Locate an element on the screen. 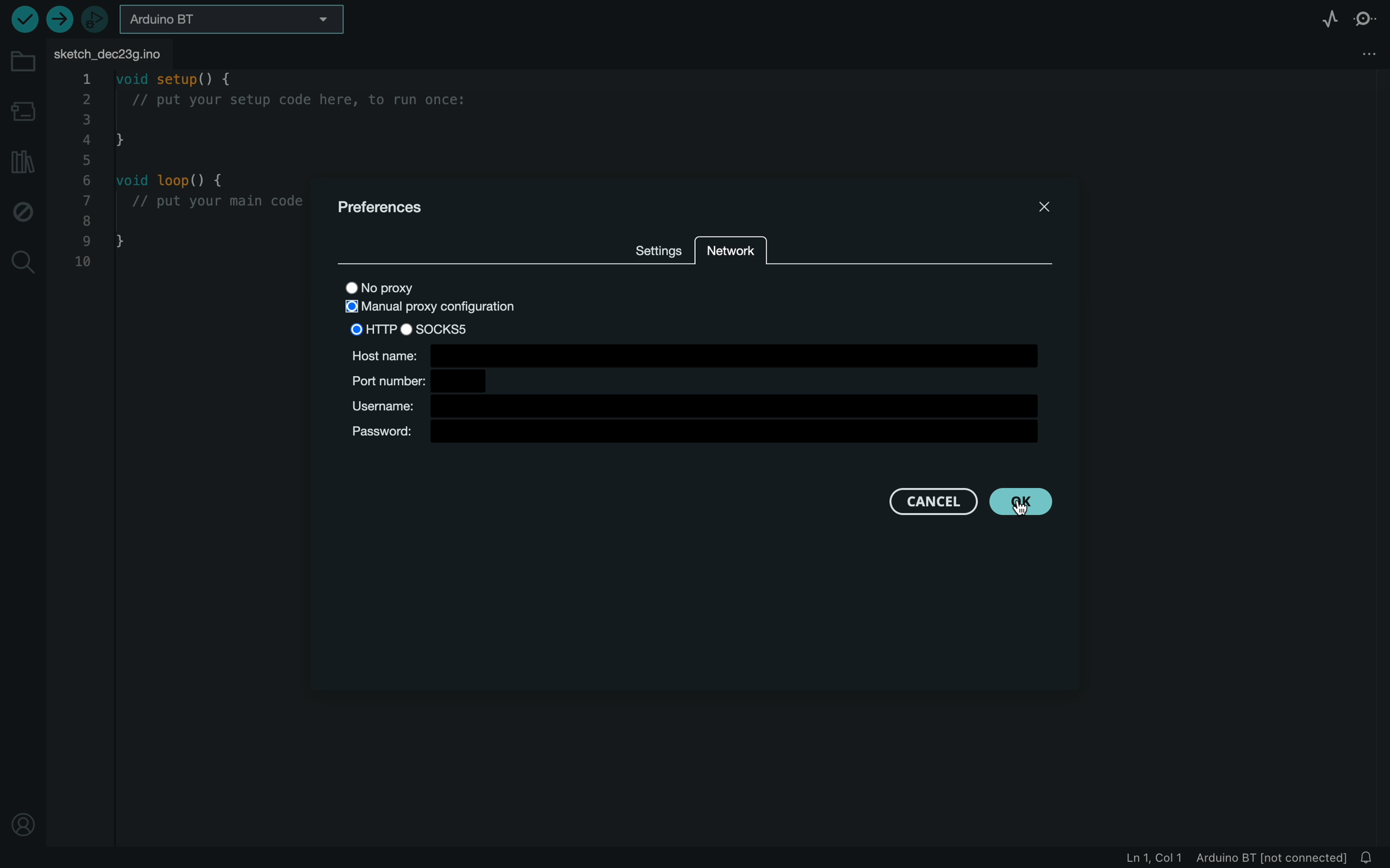 The height and width of the screenshot is (868, 1390). debugger is located at coordinates (96, 20).